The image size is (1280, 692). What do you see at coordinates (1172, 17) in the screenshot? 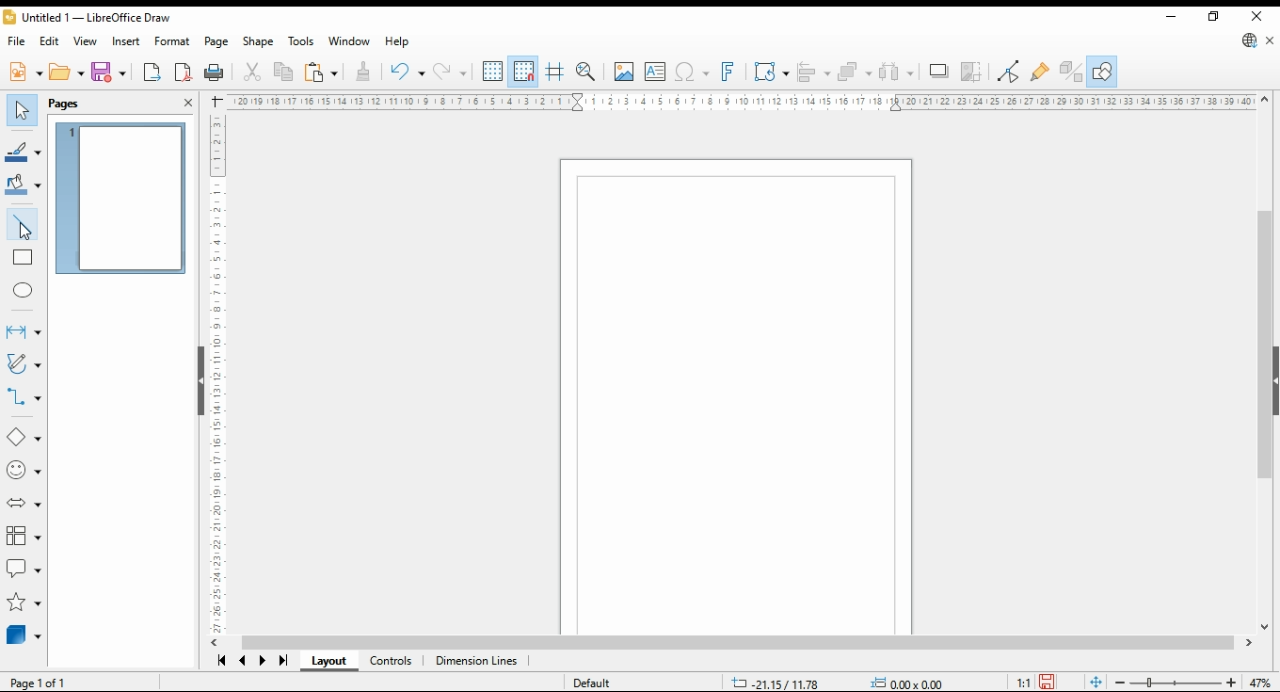
I see `minimize` at bounding box center [1172, 17].